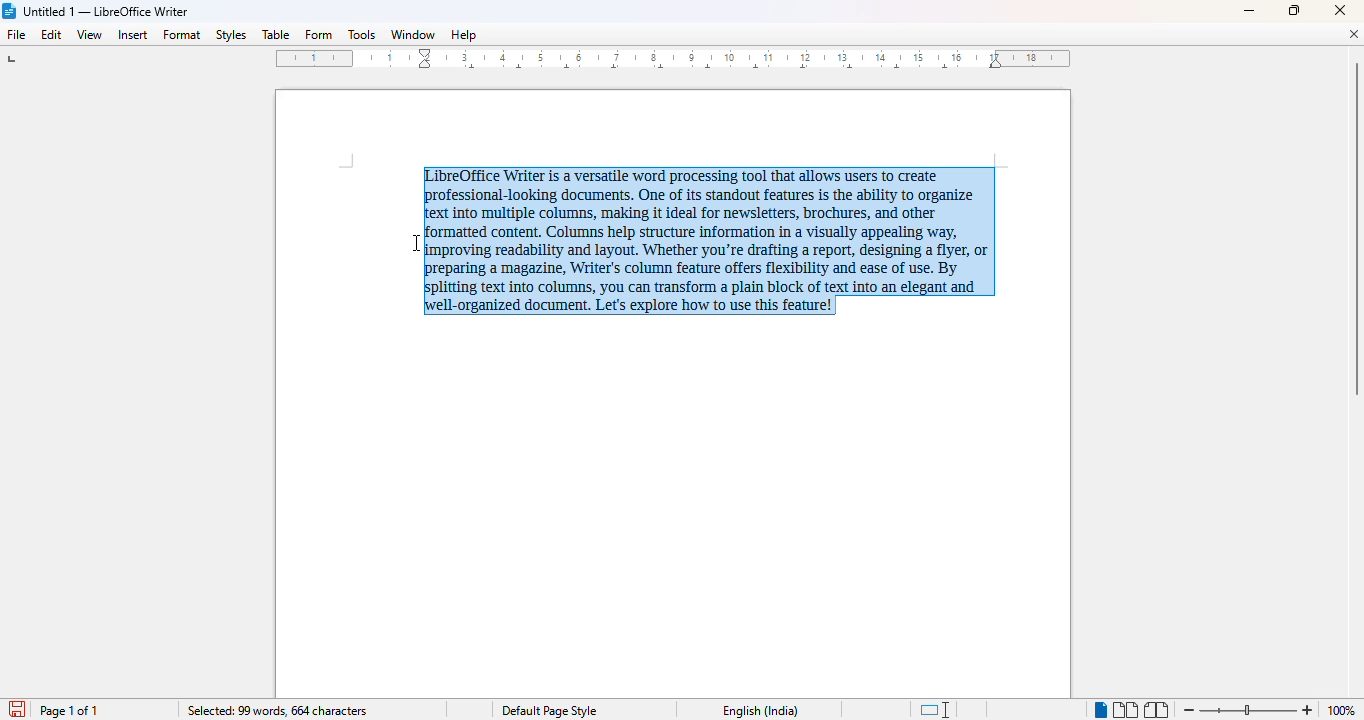 The image size is (1364, 720). I want to click on standard selection, so click(936, 709).